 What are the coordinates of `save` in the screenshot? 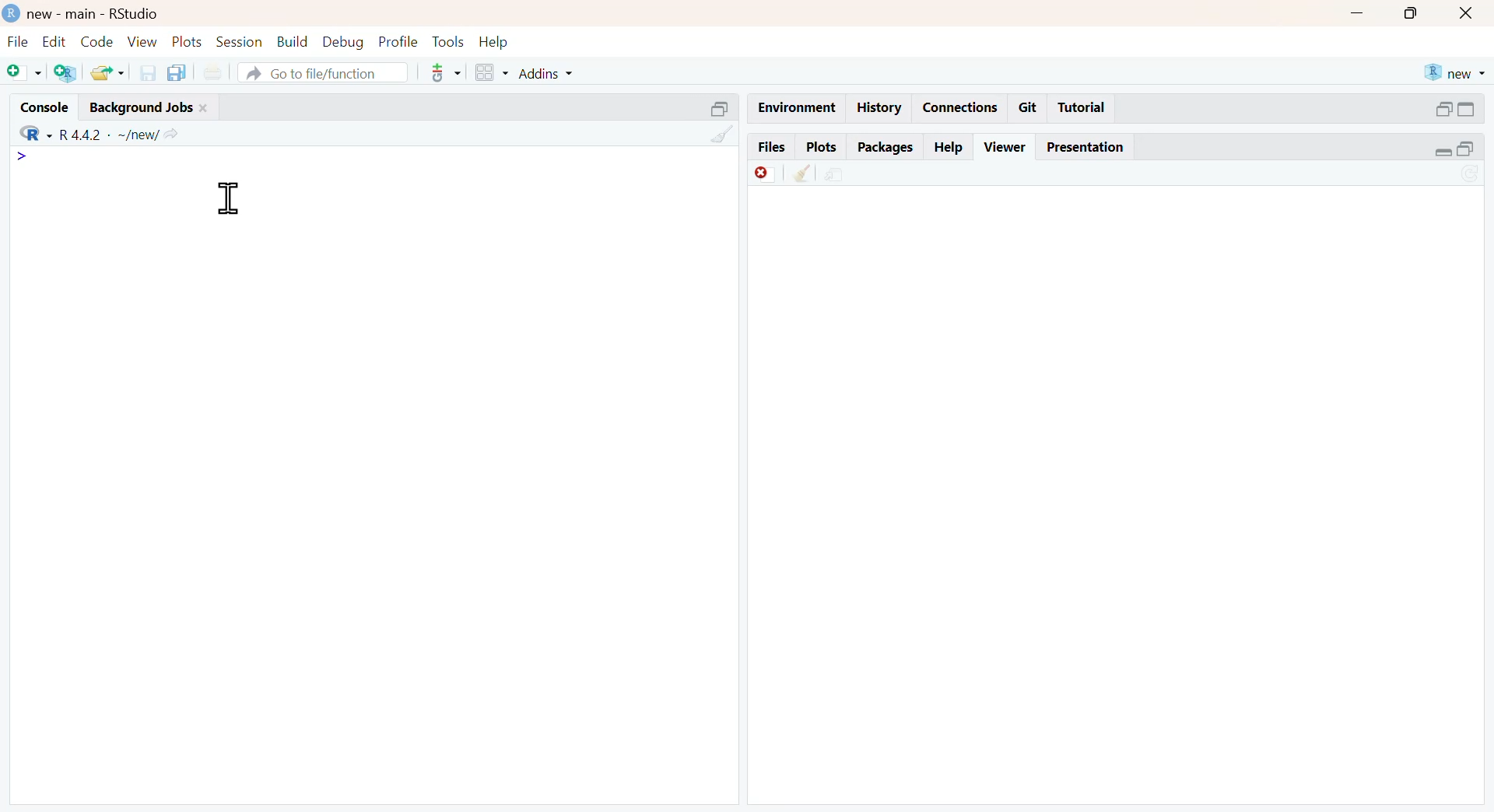 It's located at (149, 72).